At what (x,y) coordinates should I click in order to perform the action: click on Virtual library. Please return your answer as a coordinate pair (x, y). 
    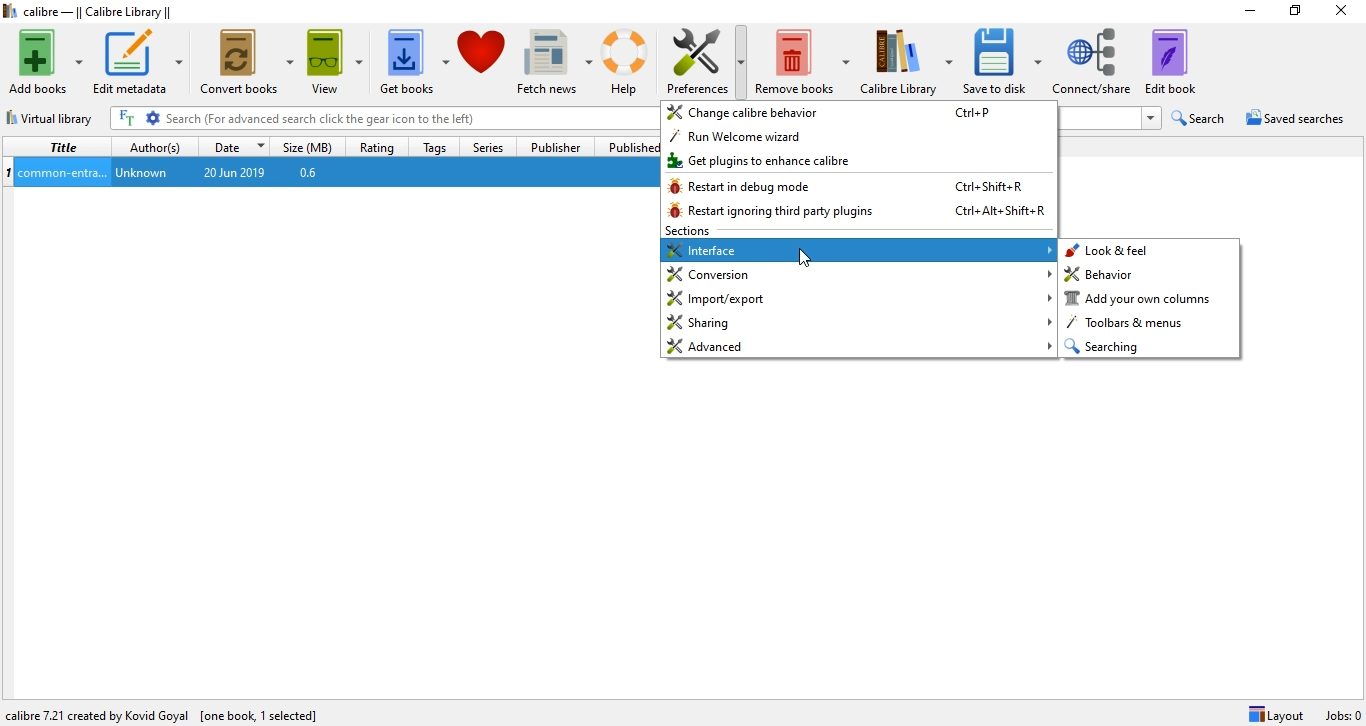
    Looking at the image, I should click on (52, 115).